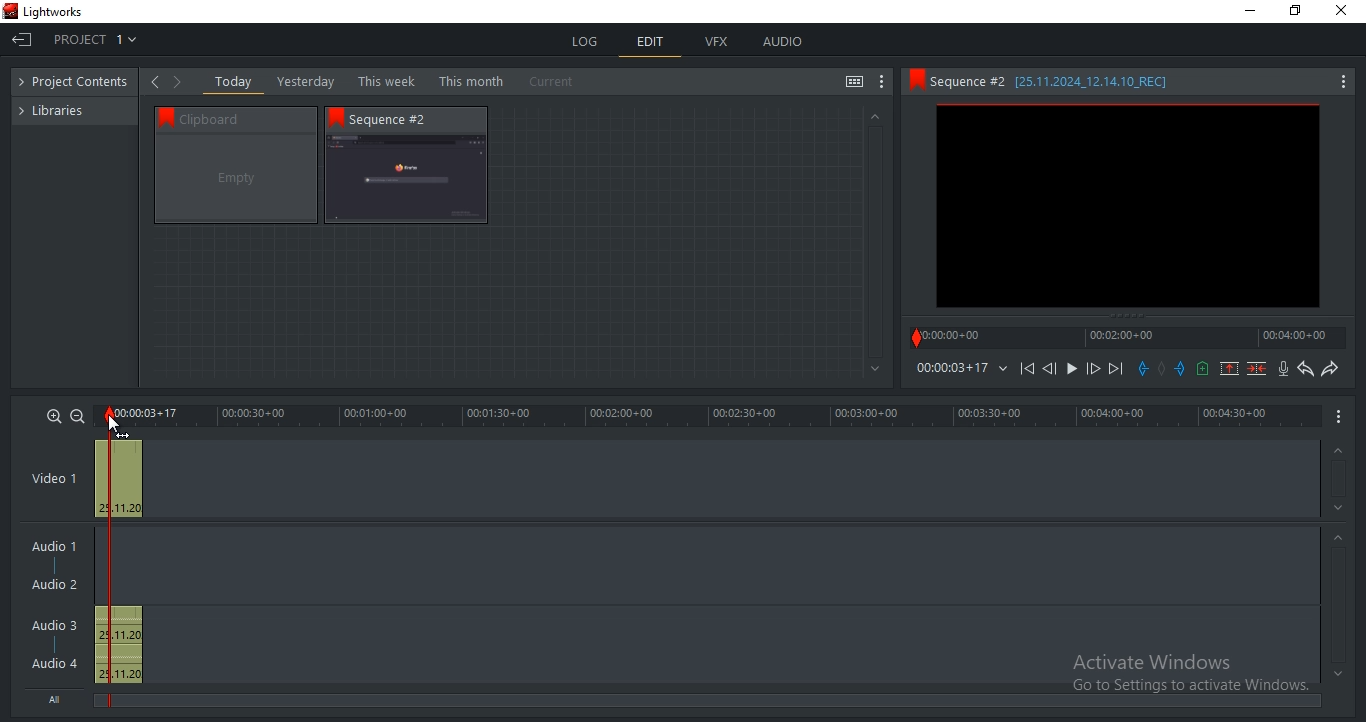  I want to click on greyed out up arrow, so click(873, 115).